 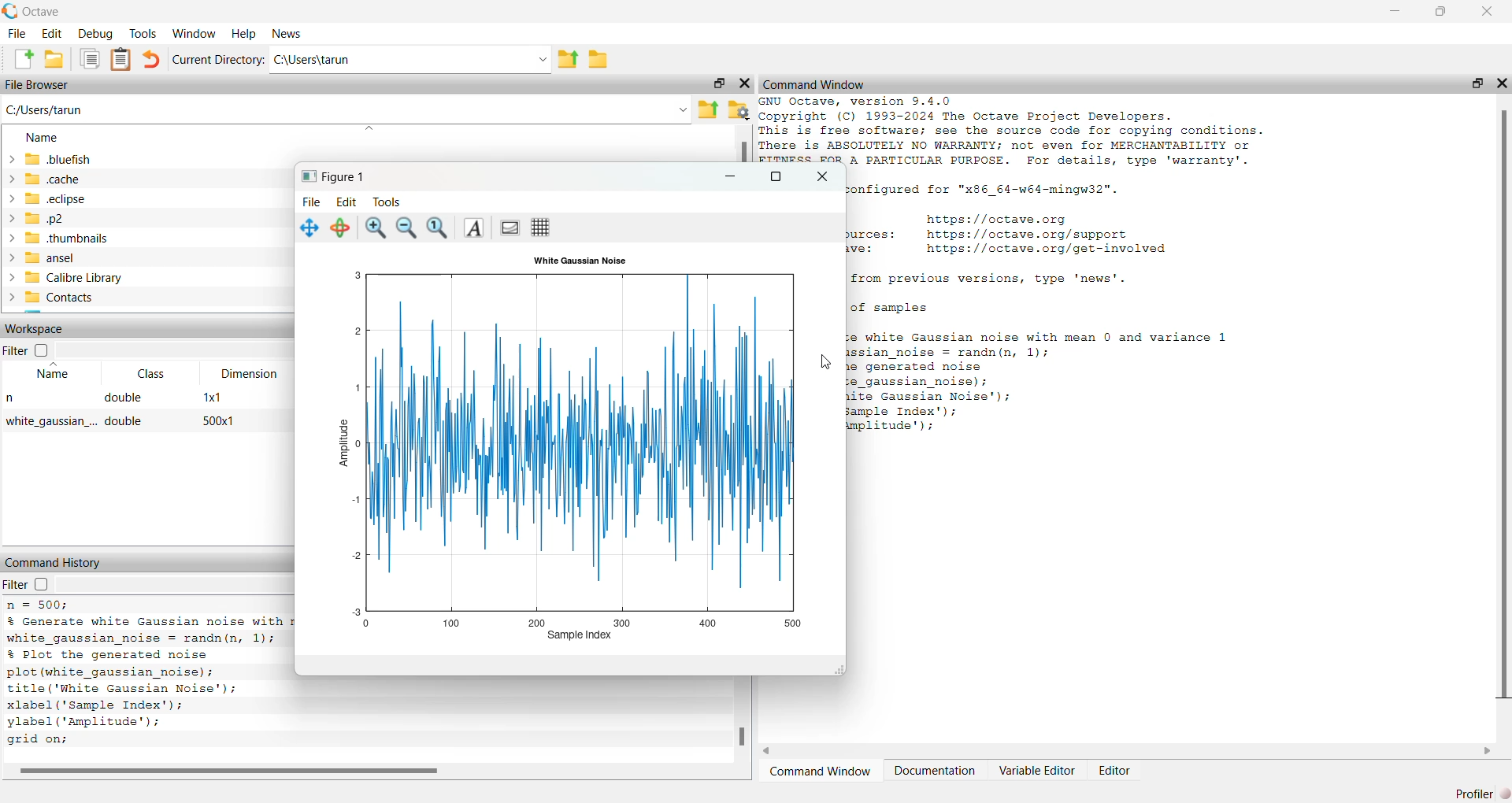 What do you see at coordinates (339, 446) in the screenshot?
I see `amplitude` at bounding box center [339, 446].